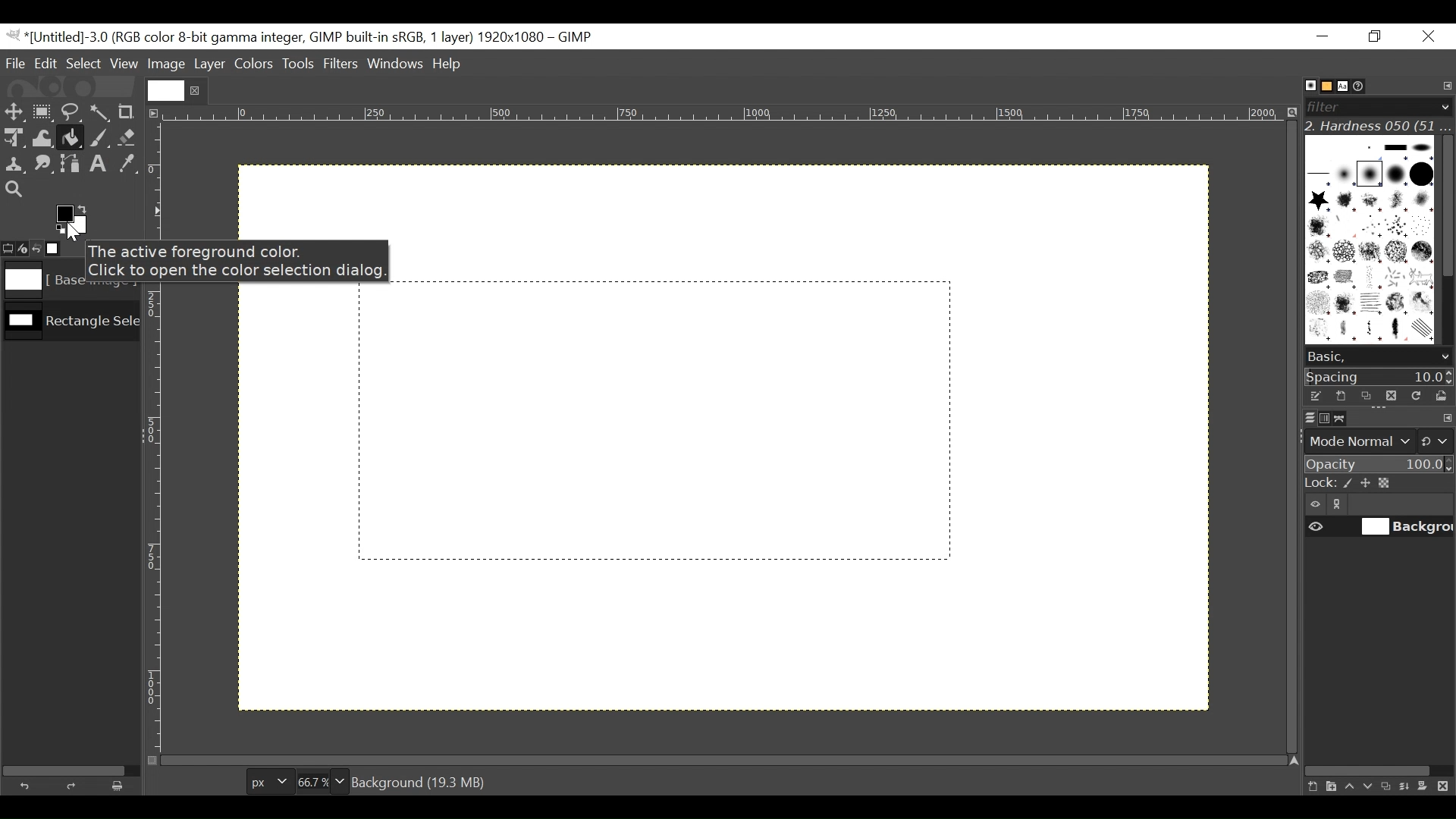  Describe the element at coordinates (1364, 85) in the screenshot. I see `Document History` at that location.